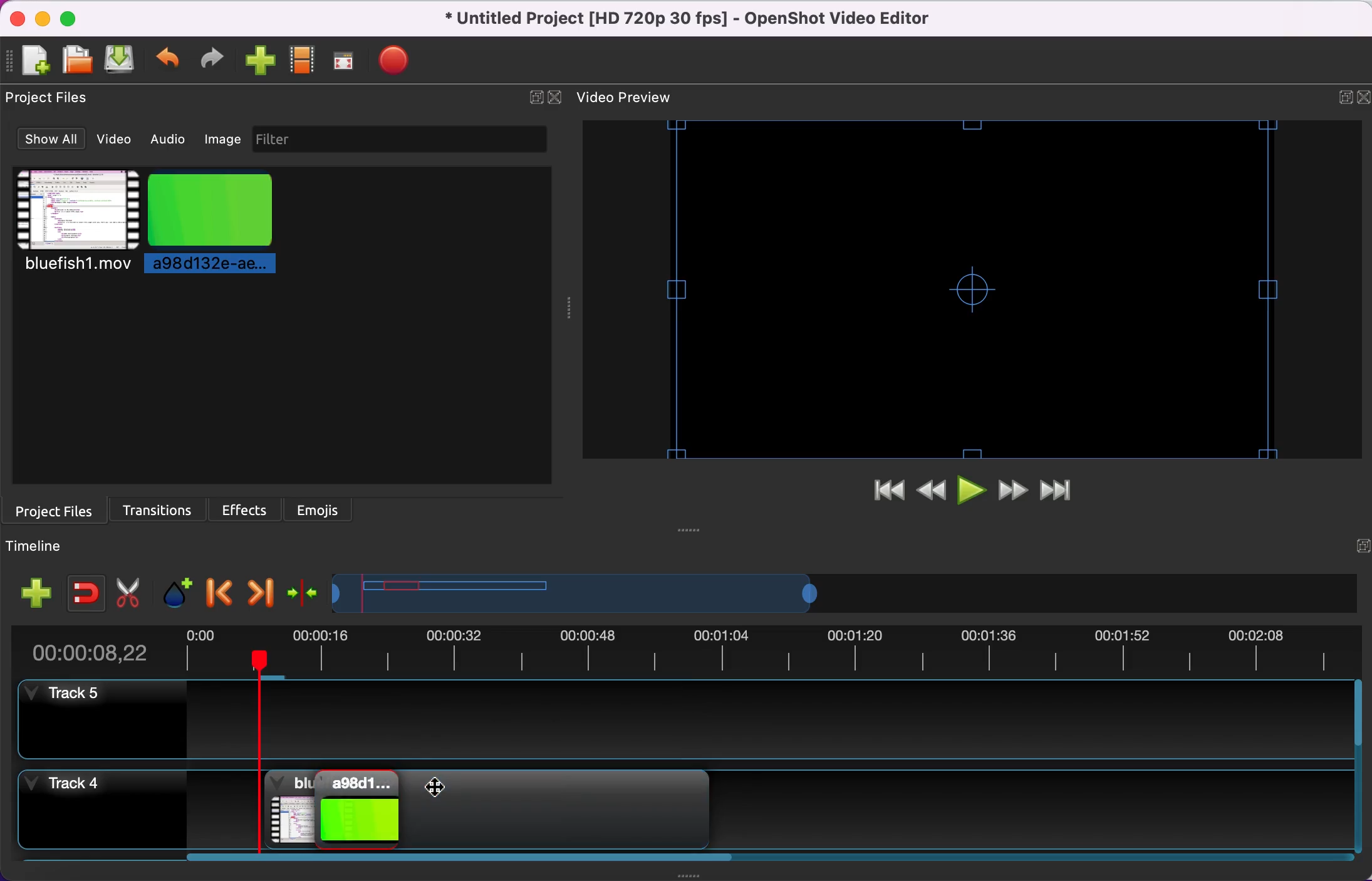 This screenshot has width=1372, height=881. I want to click on picture, so click(226, 225).